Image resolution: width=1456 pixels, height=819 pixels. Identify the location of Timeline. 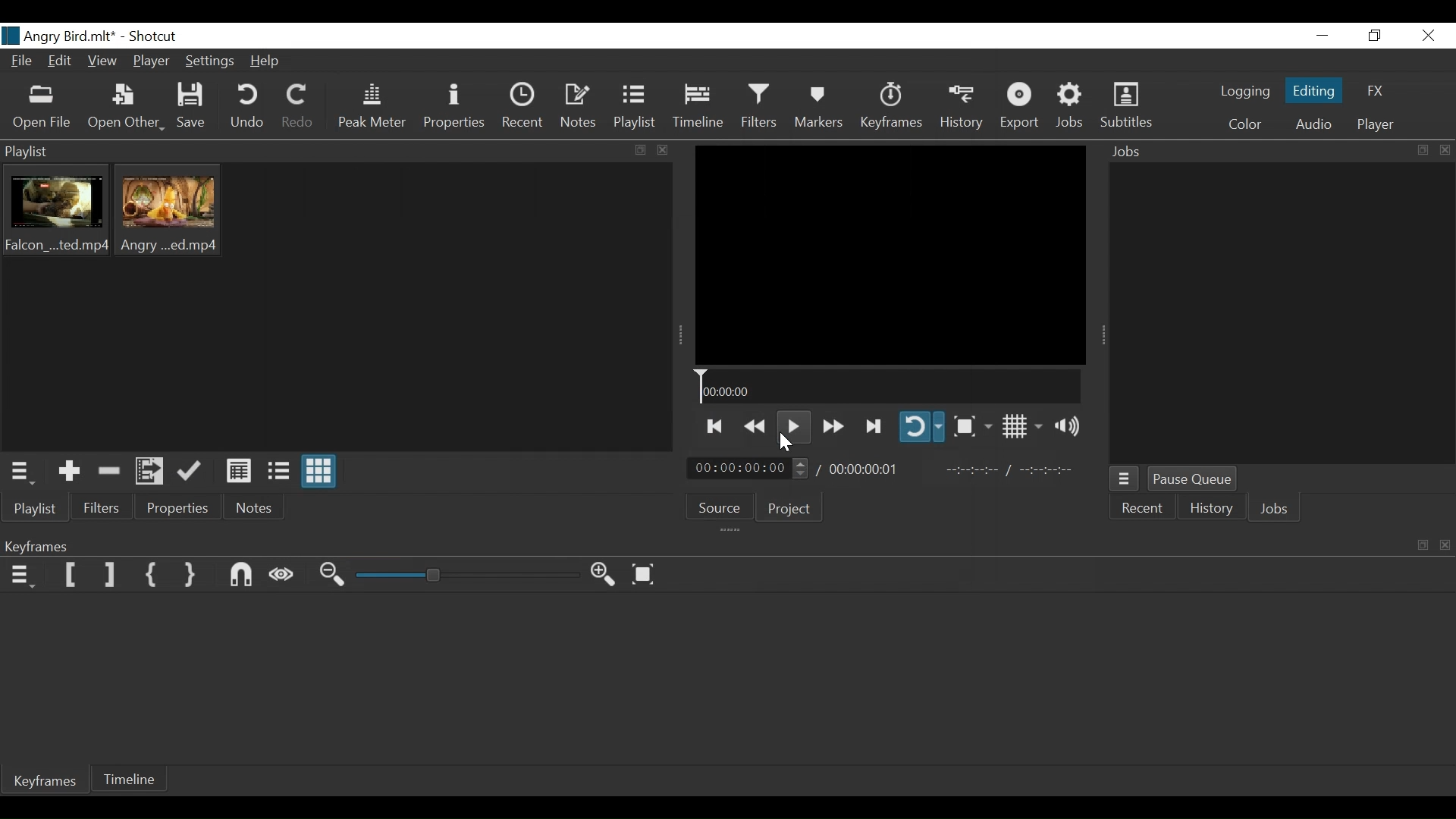
(889, 386).